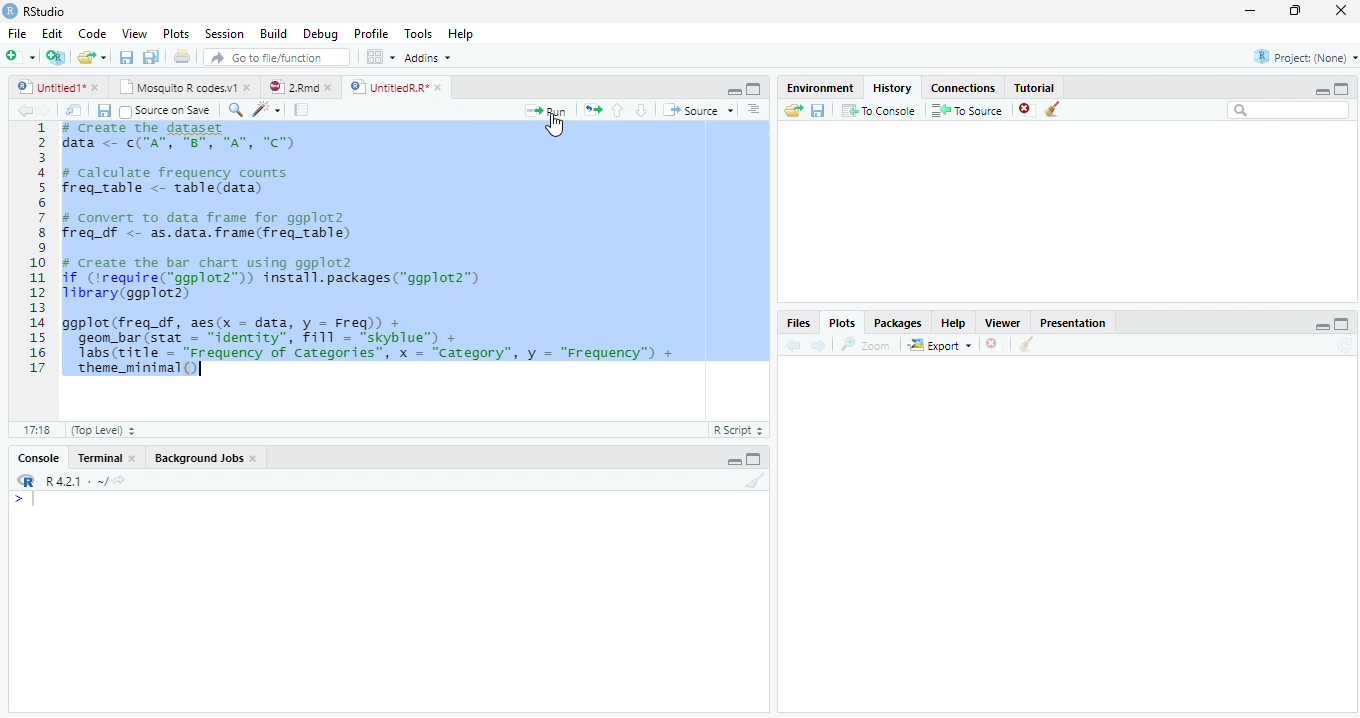 The height and width of the screenshot is (718, 1360). I want to click on Create a project, so click(54, 56).